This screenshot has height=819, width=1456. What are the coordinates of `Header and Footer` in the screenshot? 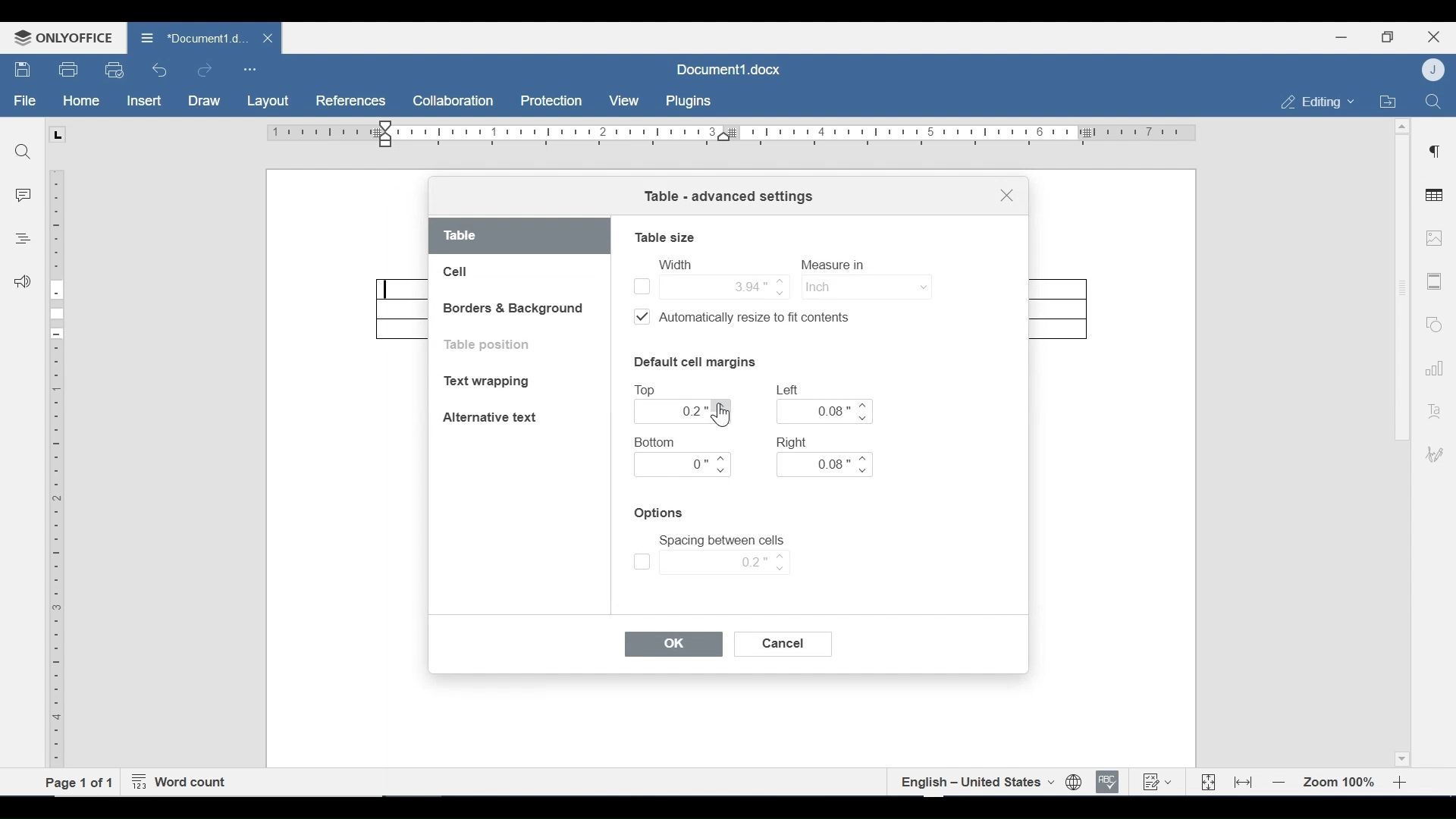 It's located at (1435, 282).